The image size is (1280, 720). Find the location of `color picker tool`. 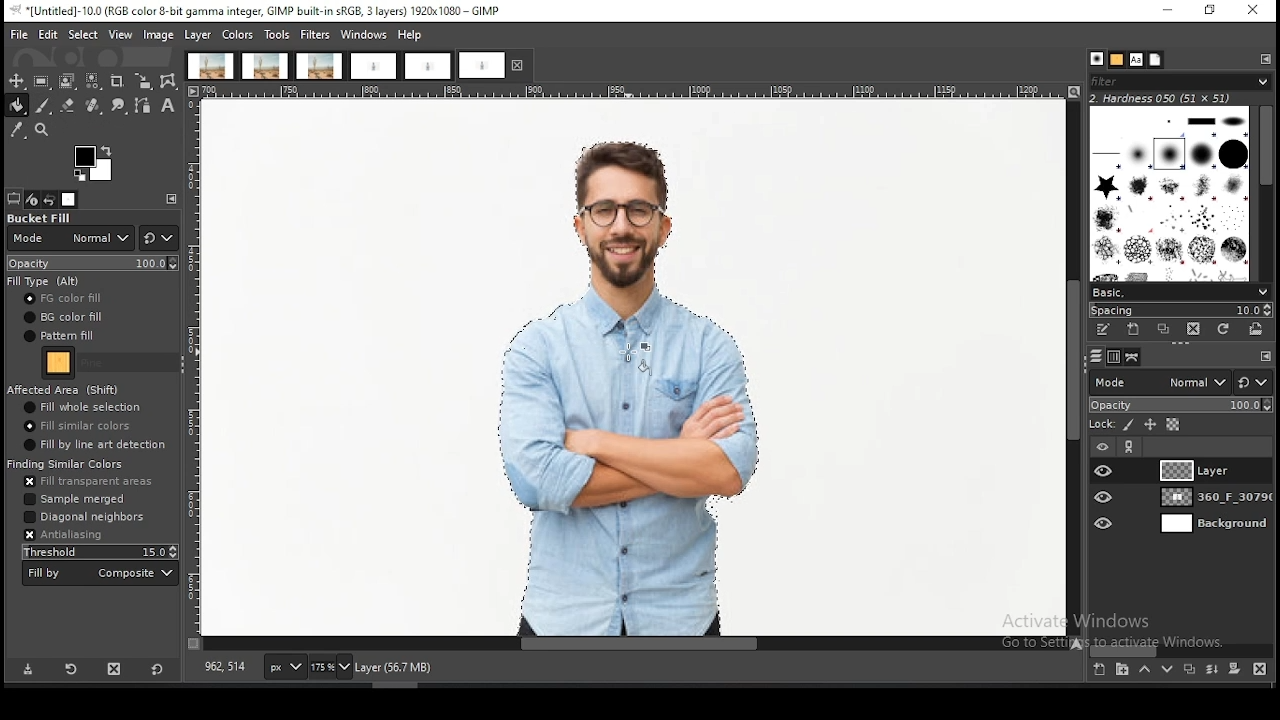

color picker tool is located at coordinates (16, 130).